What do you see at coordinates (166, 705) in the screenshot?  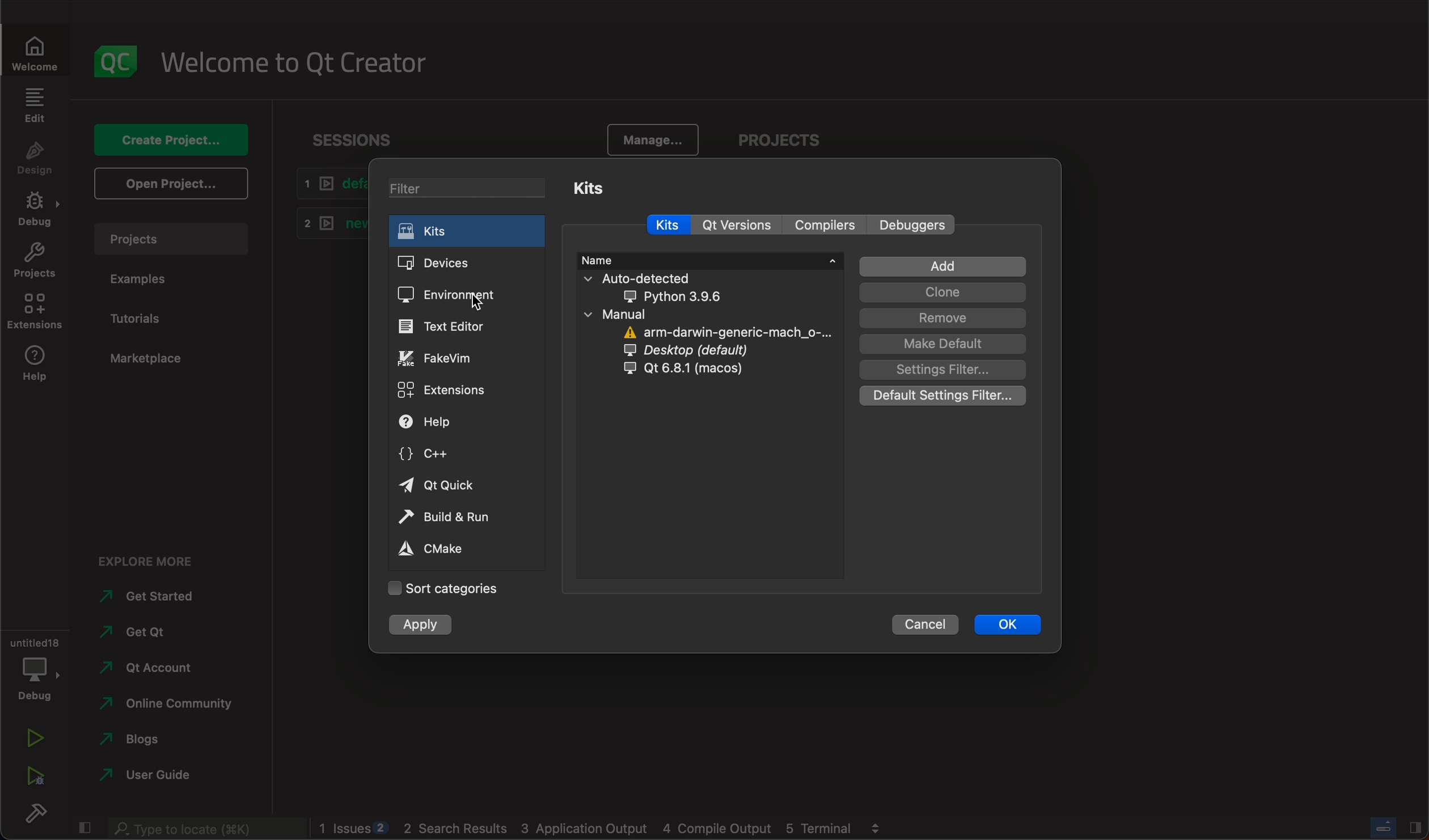 I see `community` at bounding box center [166, 705].